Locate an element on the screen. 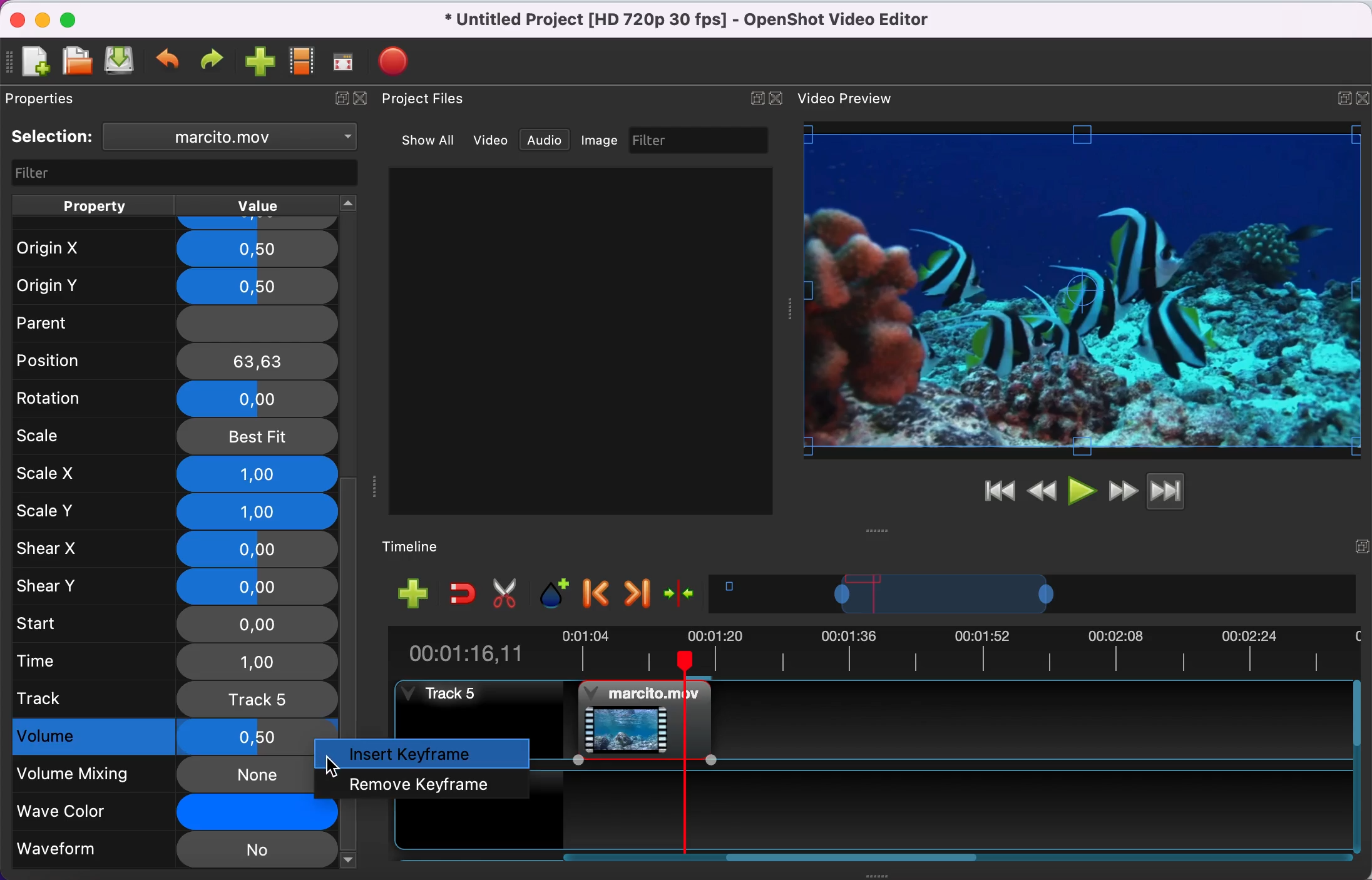 This screenshot has height=880, width=1372. shear x 0 is located at coordinates (175, 550).